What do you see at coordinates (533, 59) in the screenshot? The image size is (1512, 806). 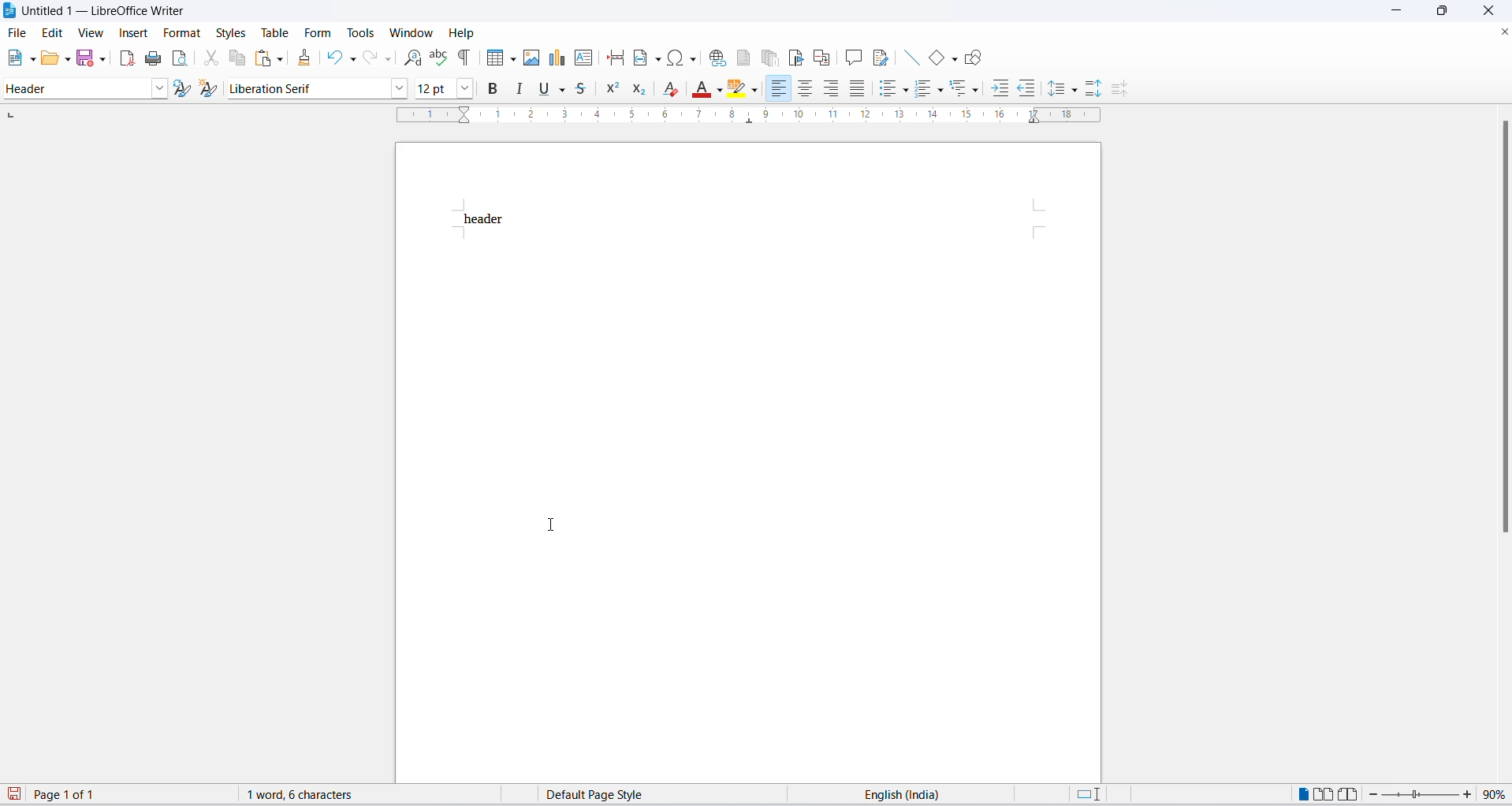 I see `insert image` at bounding box center [533, 59].